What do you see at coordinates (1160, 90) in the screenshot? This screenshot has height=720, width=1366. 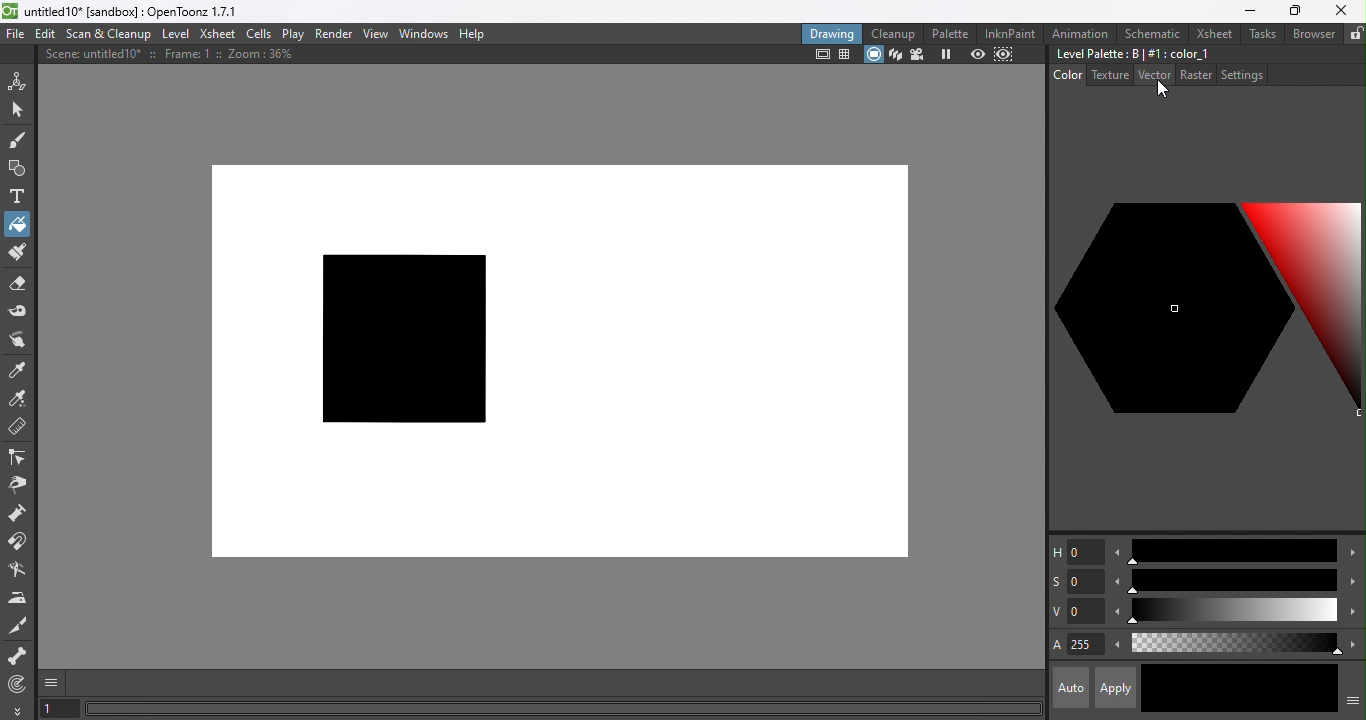 I see `cursor` at bounding box center [1160, 90].